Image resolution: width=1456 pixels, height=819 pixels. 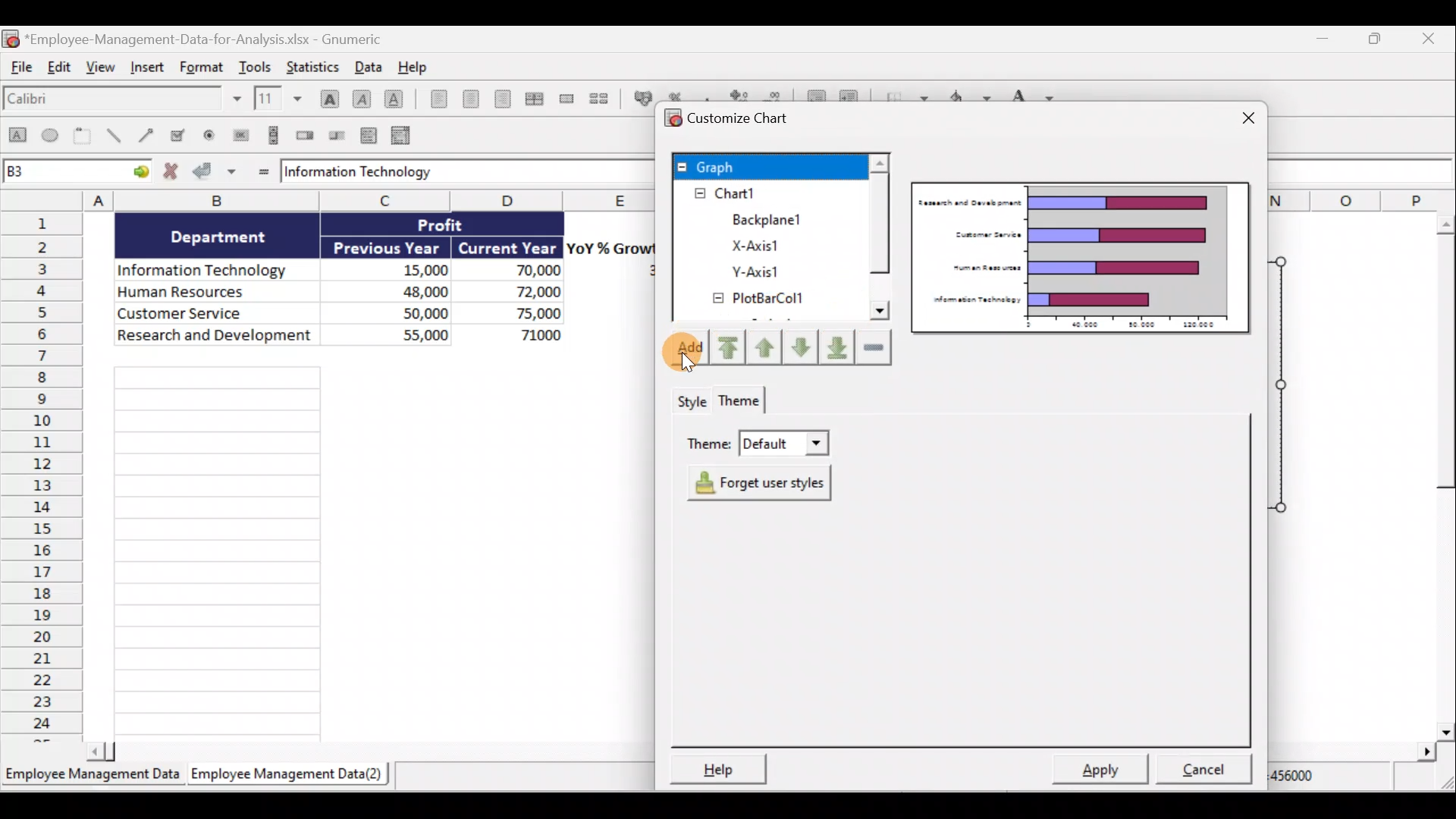 I want to click on Split a merged range of cells, so click(x=605, y=100).